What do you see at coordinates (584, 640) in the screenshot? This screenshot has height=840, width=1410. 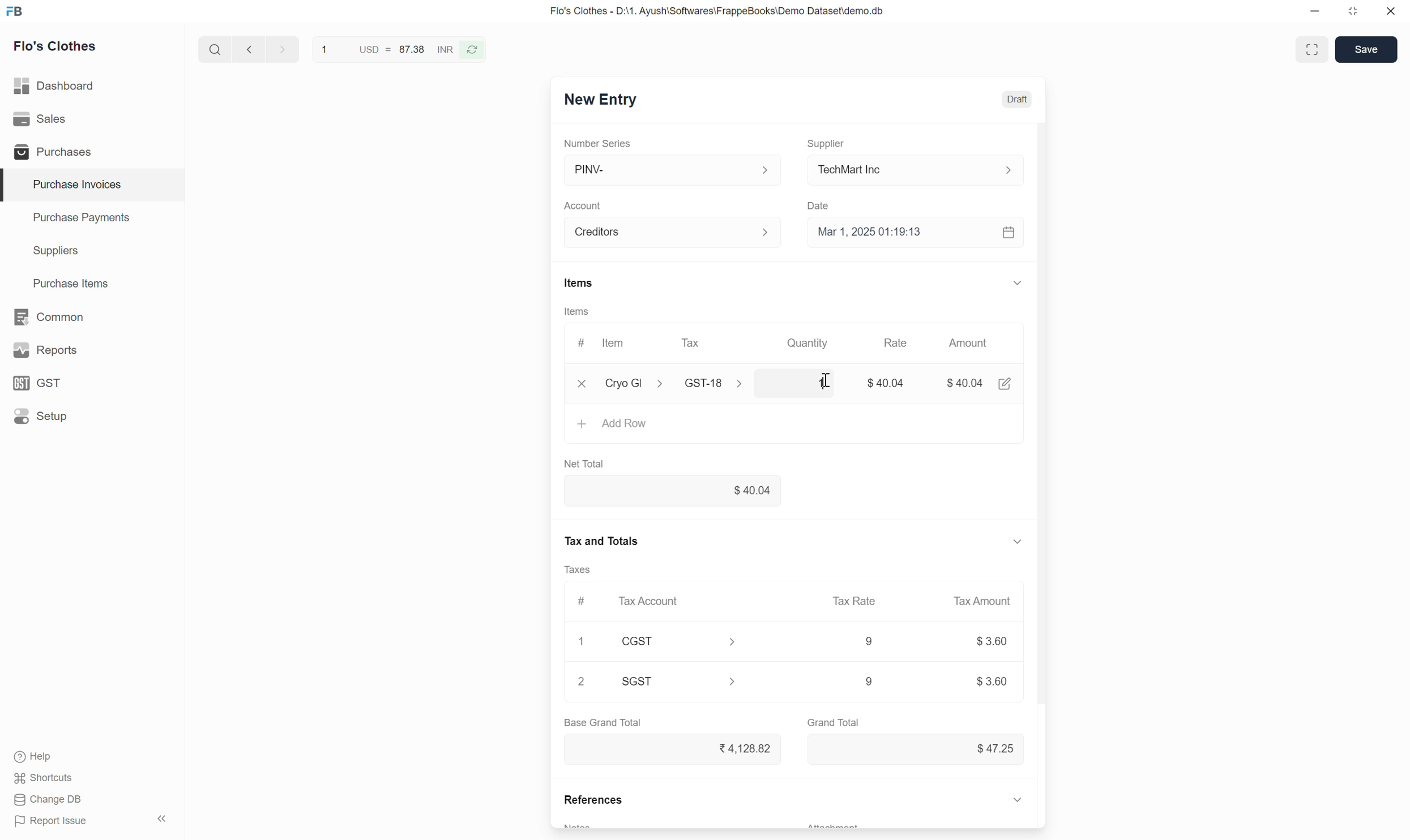 I see `1` at bounding box center [584, 640].